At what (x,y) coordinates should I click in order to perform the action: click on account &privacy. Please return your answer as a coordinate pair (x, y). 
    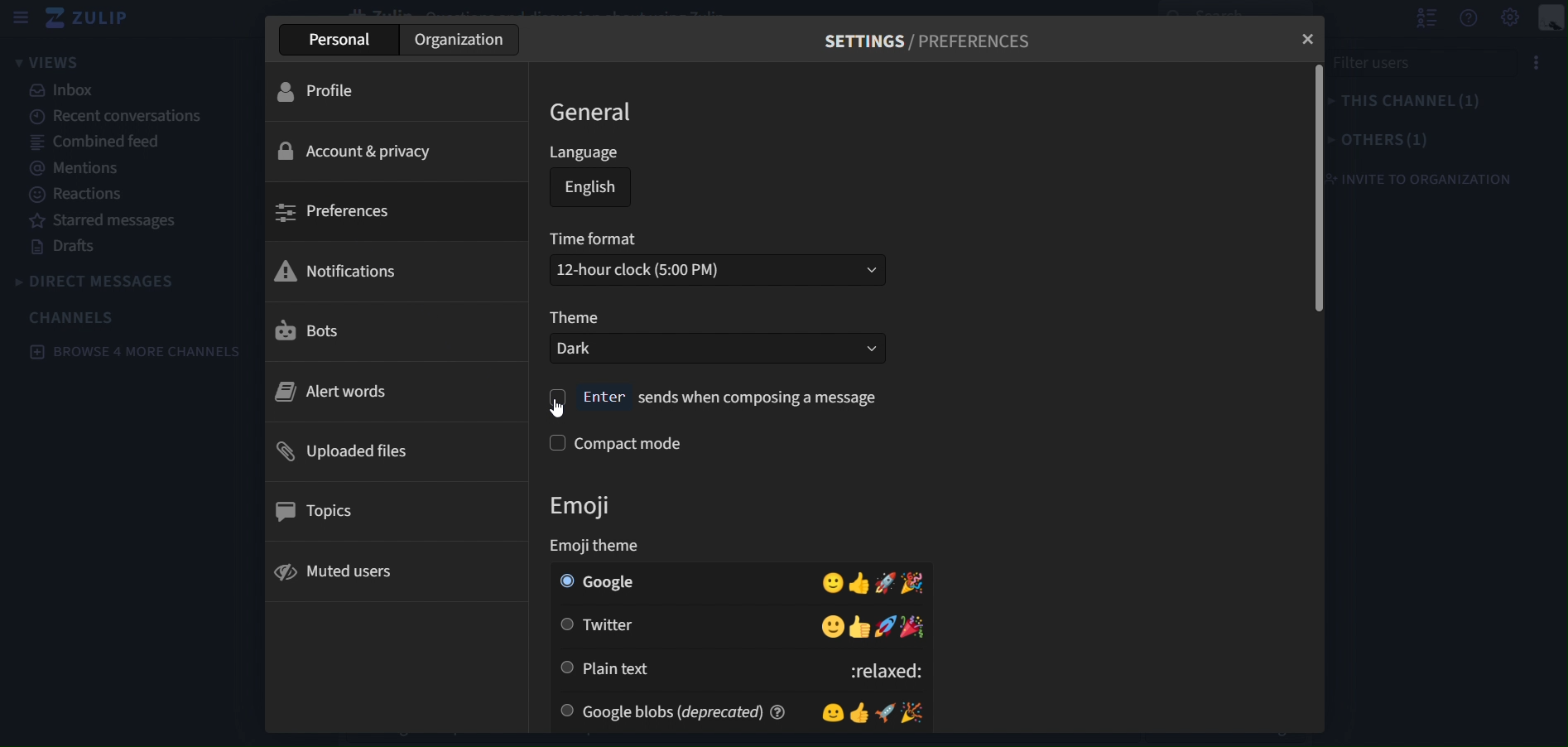
    Looking at the image, I should click on (384, 150).